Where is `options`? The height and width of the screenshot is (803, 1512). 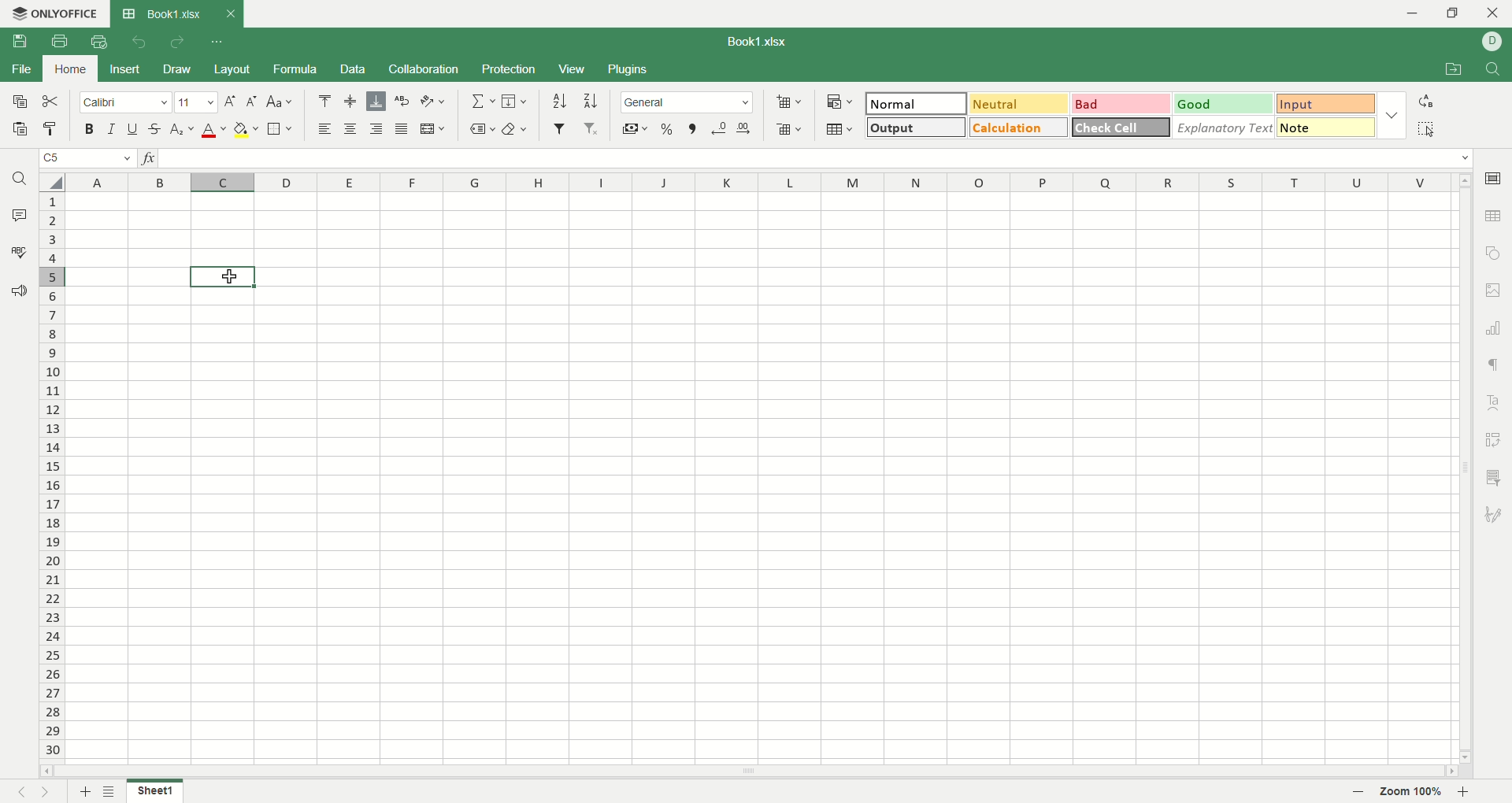 options is located at coordinates (1395, 113).